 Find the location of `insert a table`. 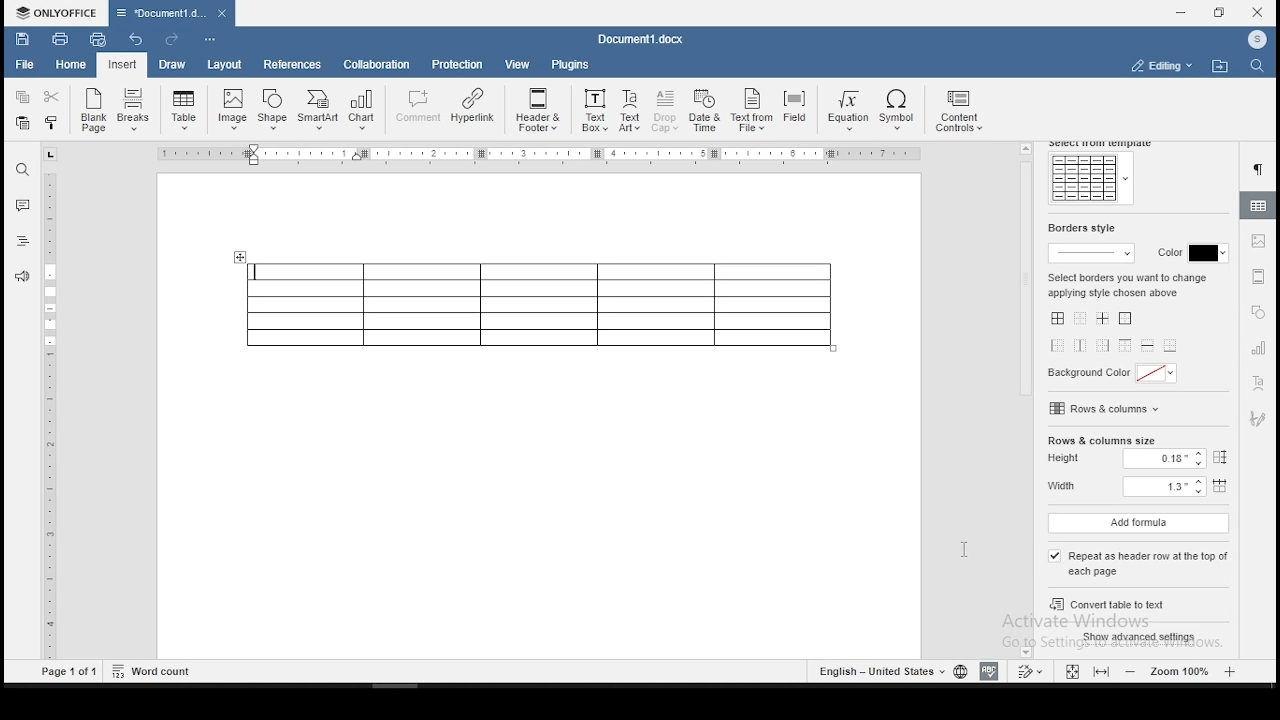

insert a table is located at coordinates (184, 110).